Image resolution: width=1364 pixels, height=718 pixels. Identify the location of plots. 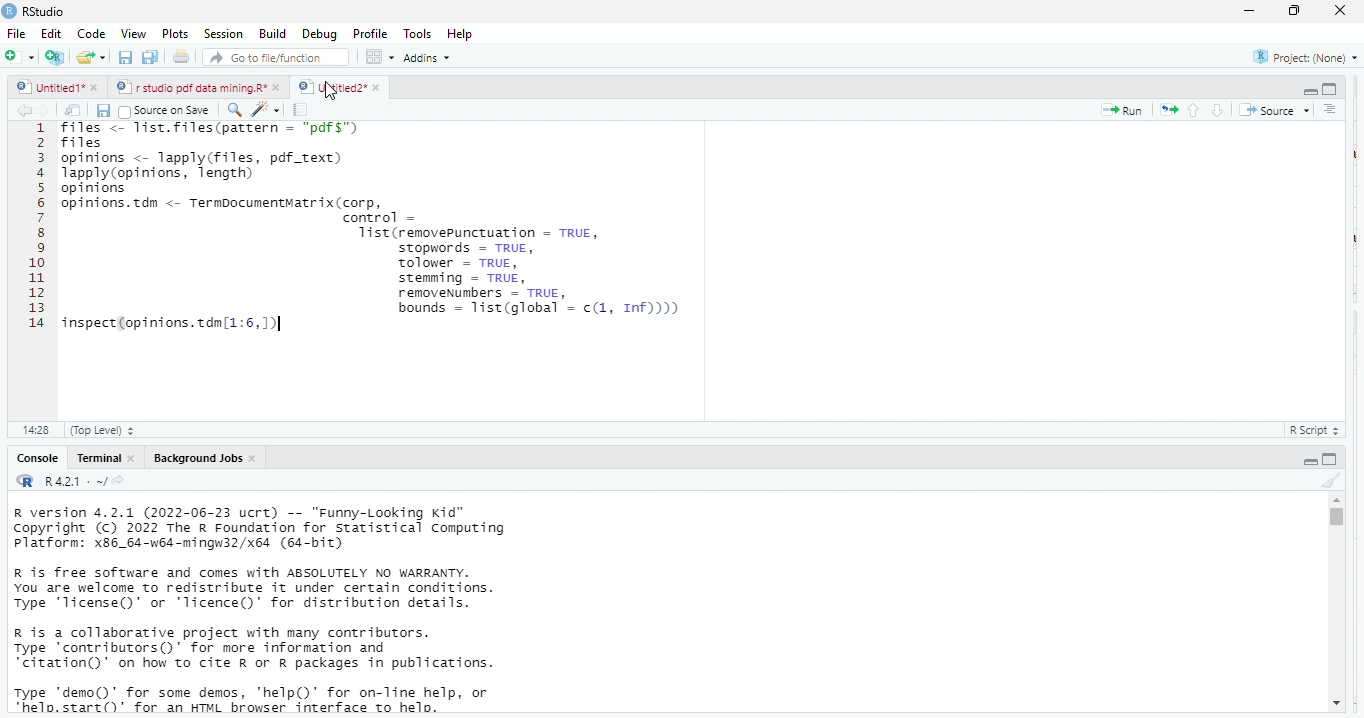
(175, 34).